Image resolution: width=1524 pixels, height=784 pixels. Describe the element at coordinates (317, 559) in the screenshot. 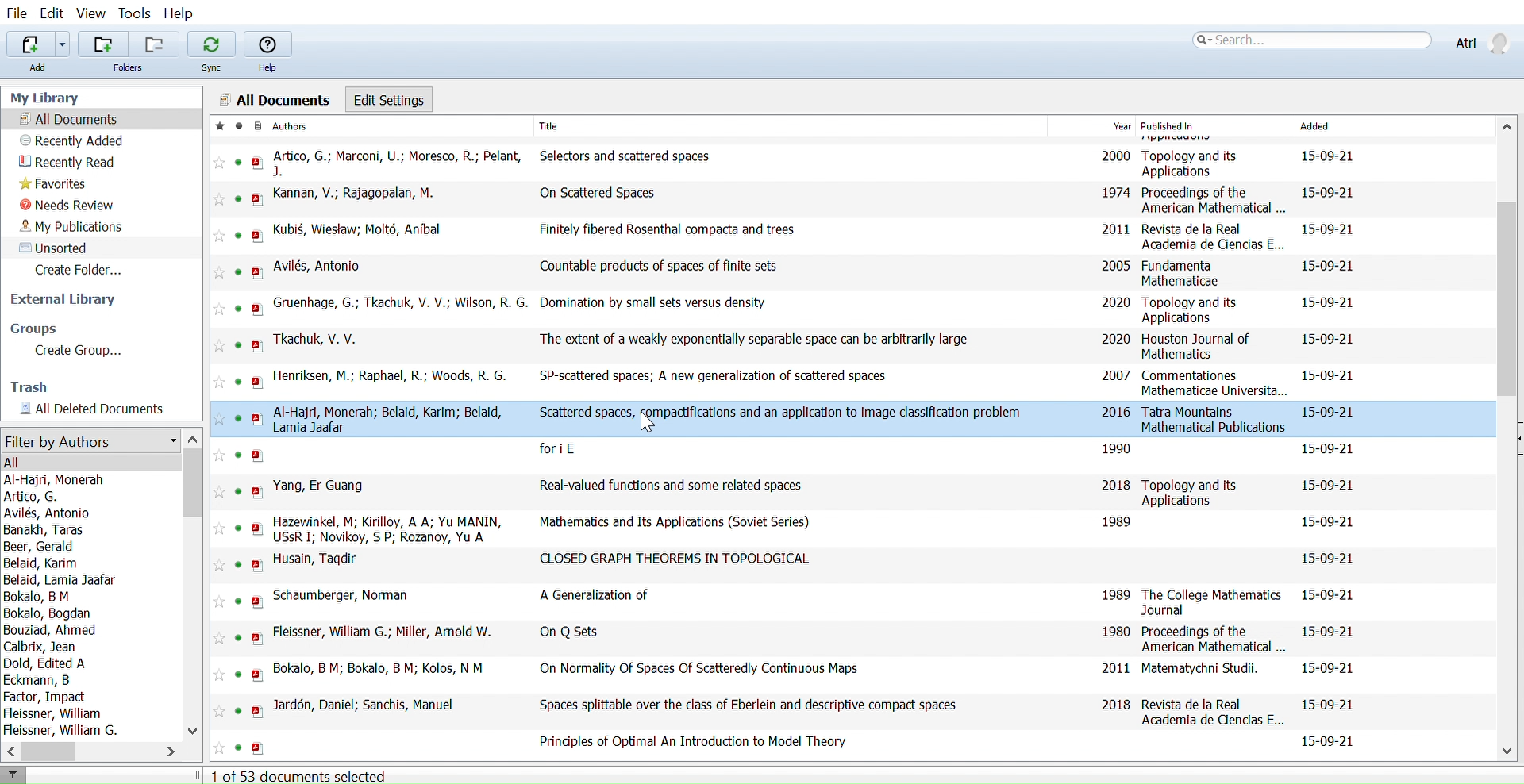

I see `Husain Taqdir` at that location.